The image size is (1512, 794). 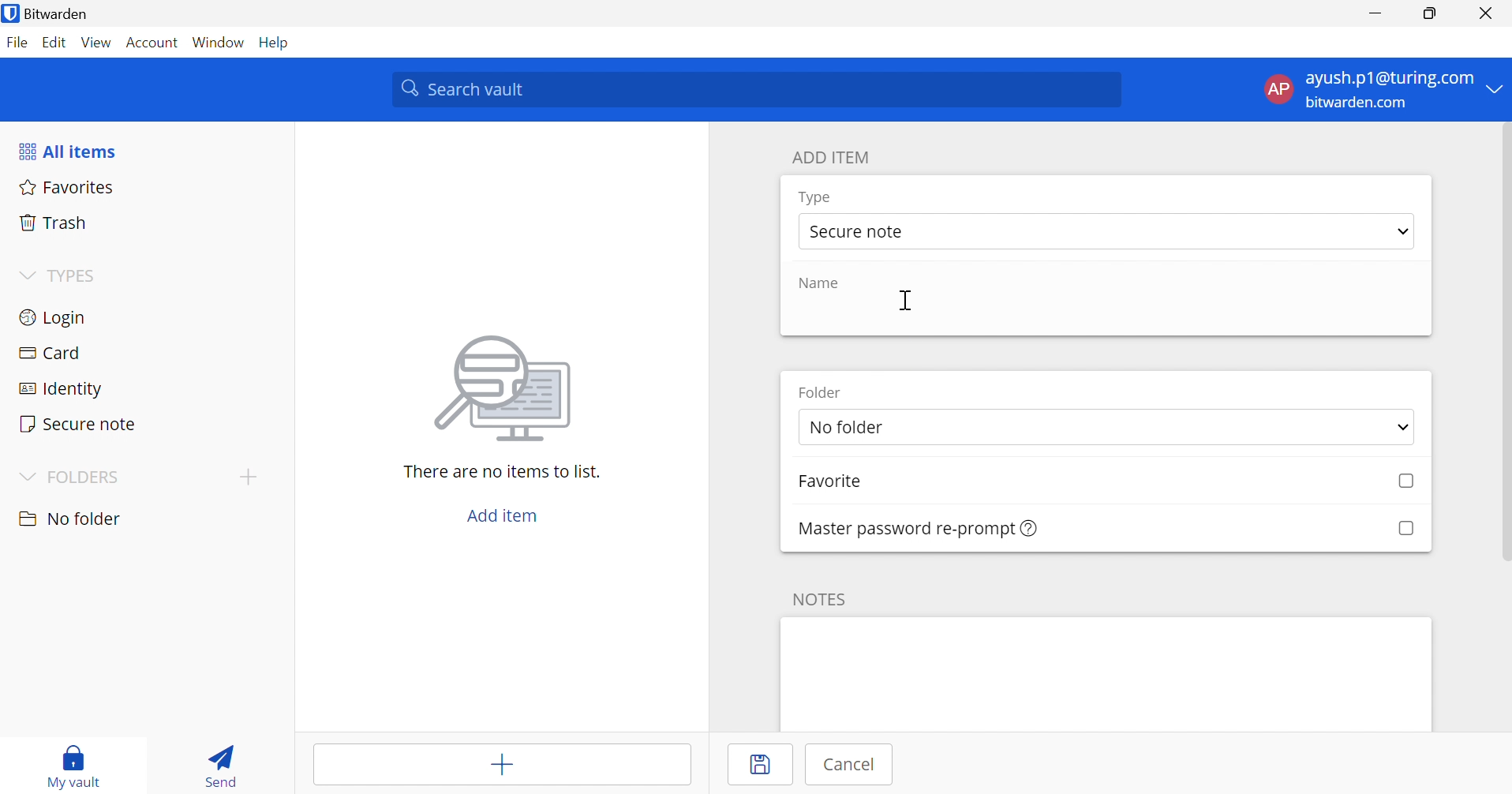 What do you see at coordinates (219, 769) in the screenshot?
I see `Send` at bounding box center [219, 769].